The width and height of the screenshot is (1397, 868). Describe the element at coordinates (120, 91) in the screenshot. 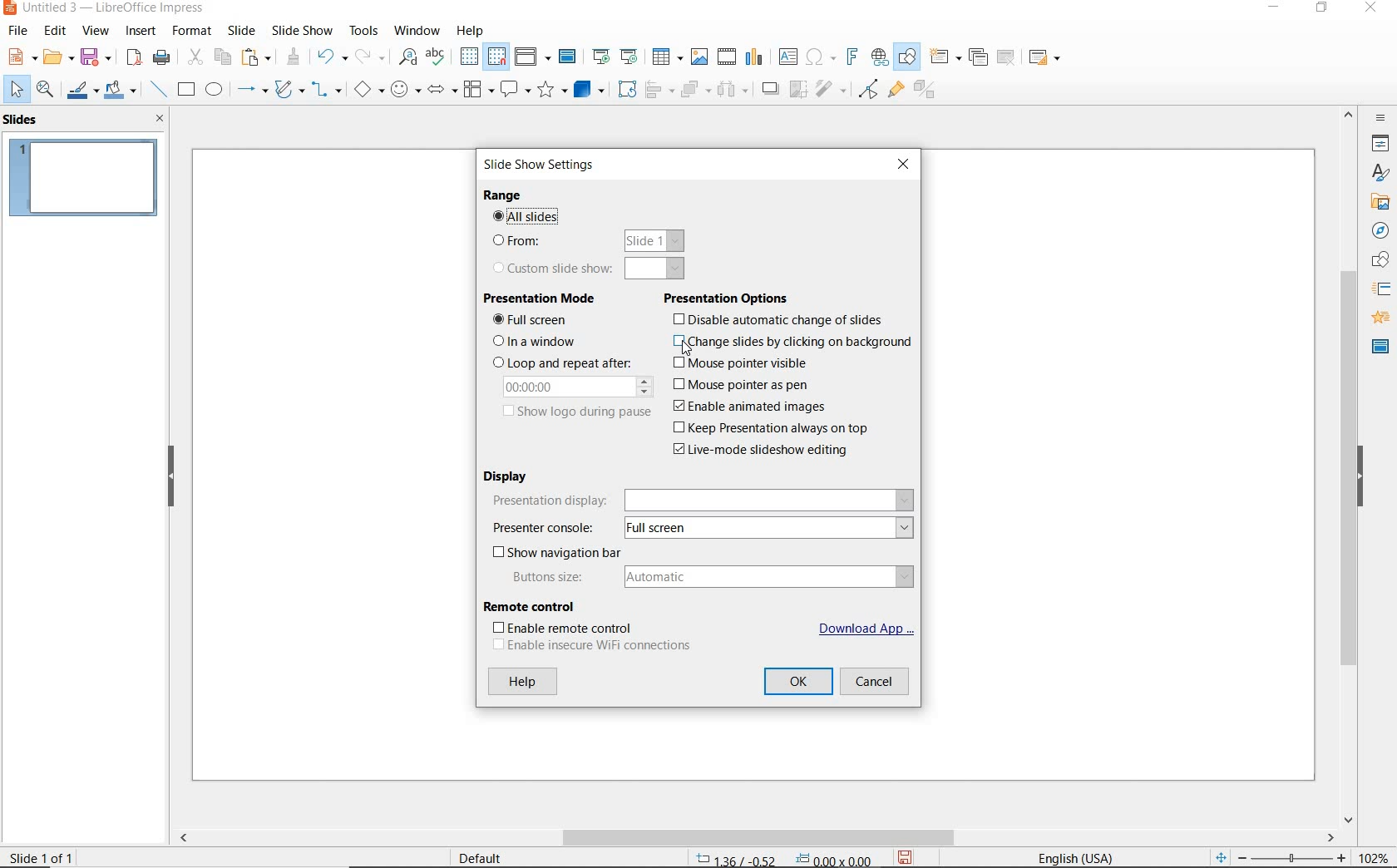

I see `FILL COLOR` at that location.